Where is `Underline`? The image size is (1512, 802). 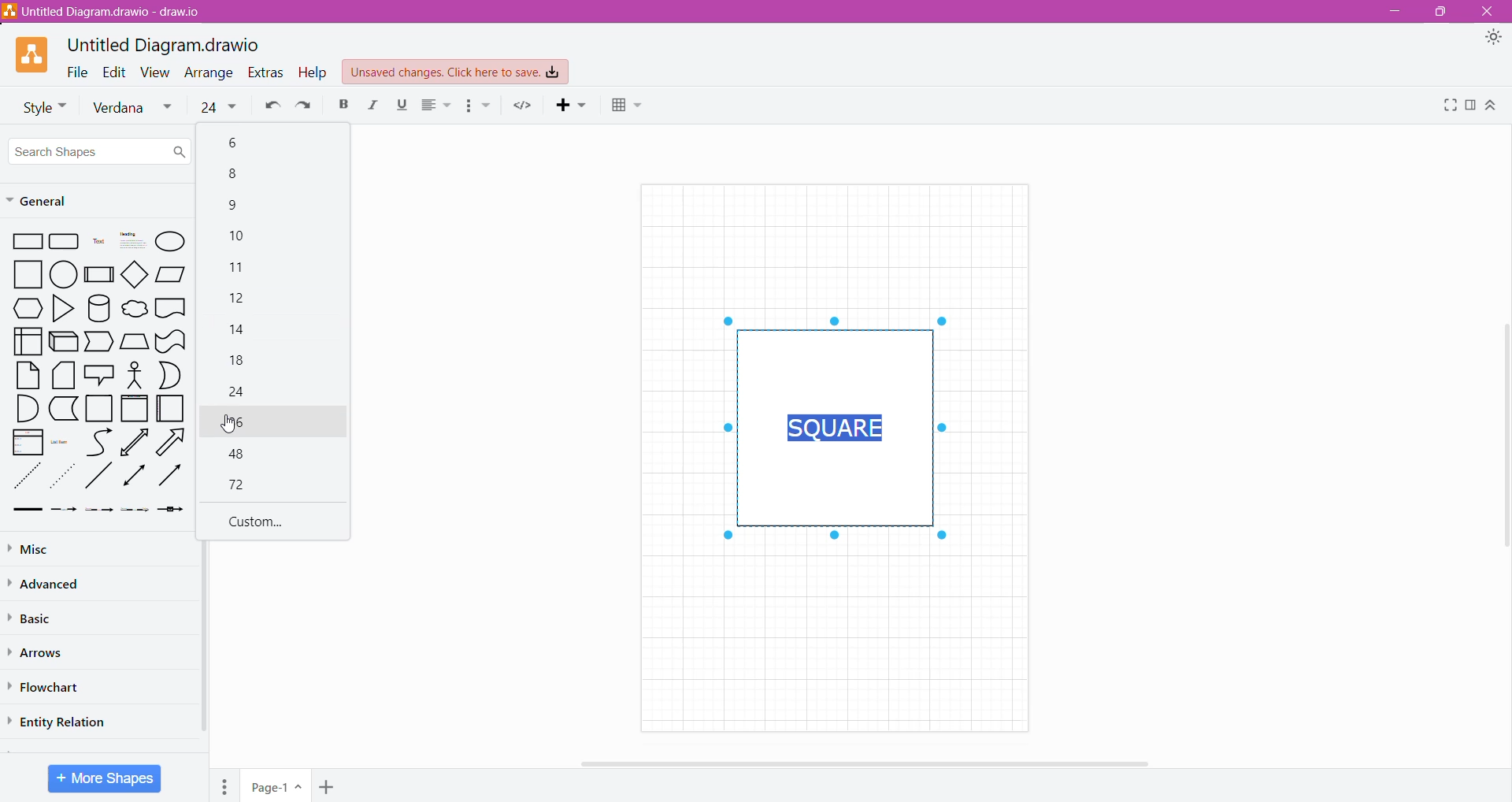 Underline is located at coordinates (404, 108).